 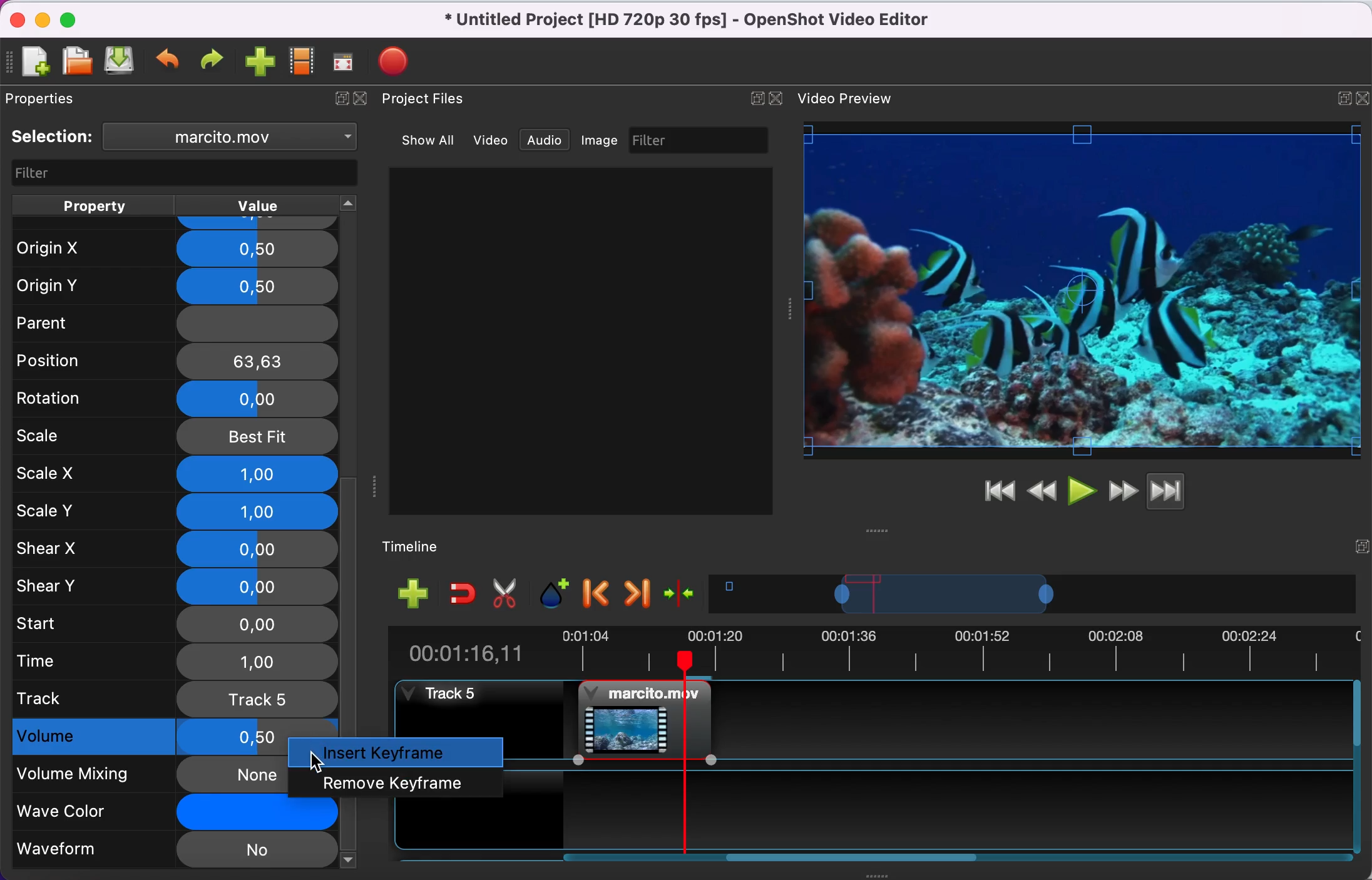 I want to click on waveform no, so click(x=174, y=851).